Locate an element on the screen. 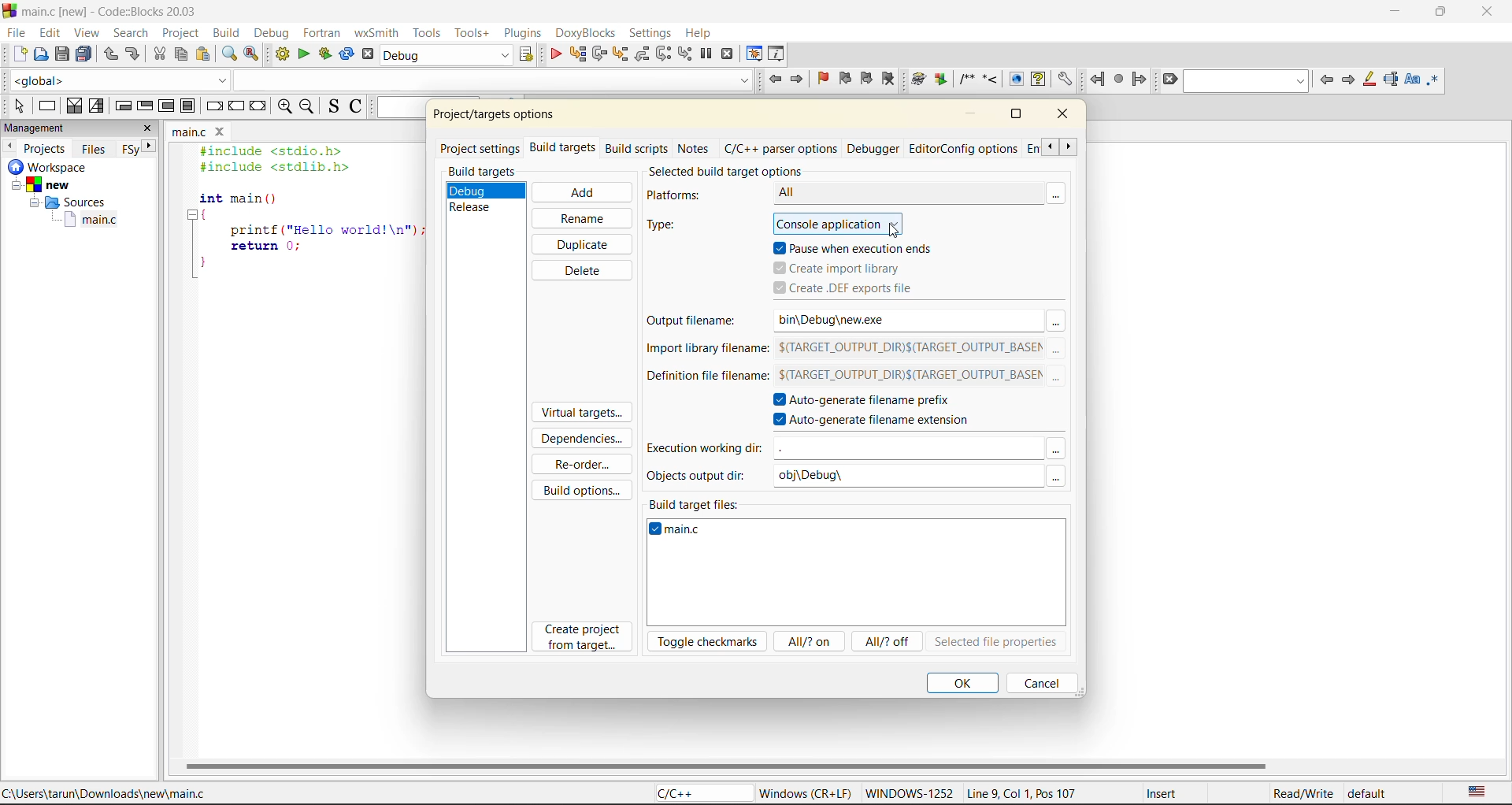 This screenshot has width=1512, height=805. zoom in is located at coordinates (283, 109).